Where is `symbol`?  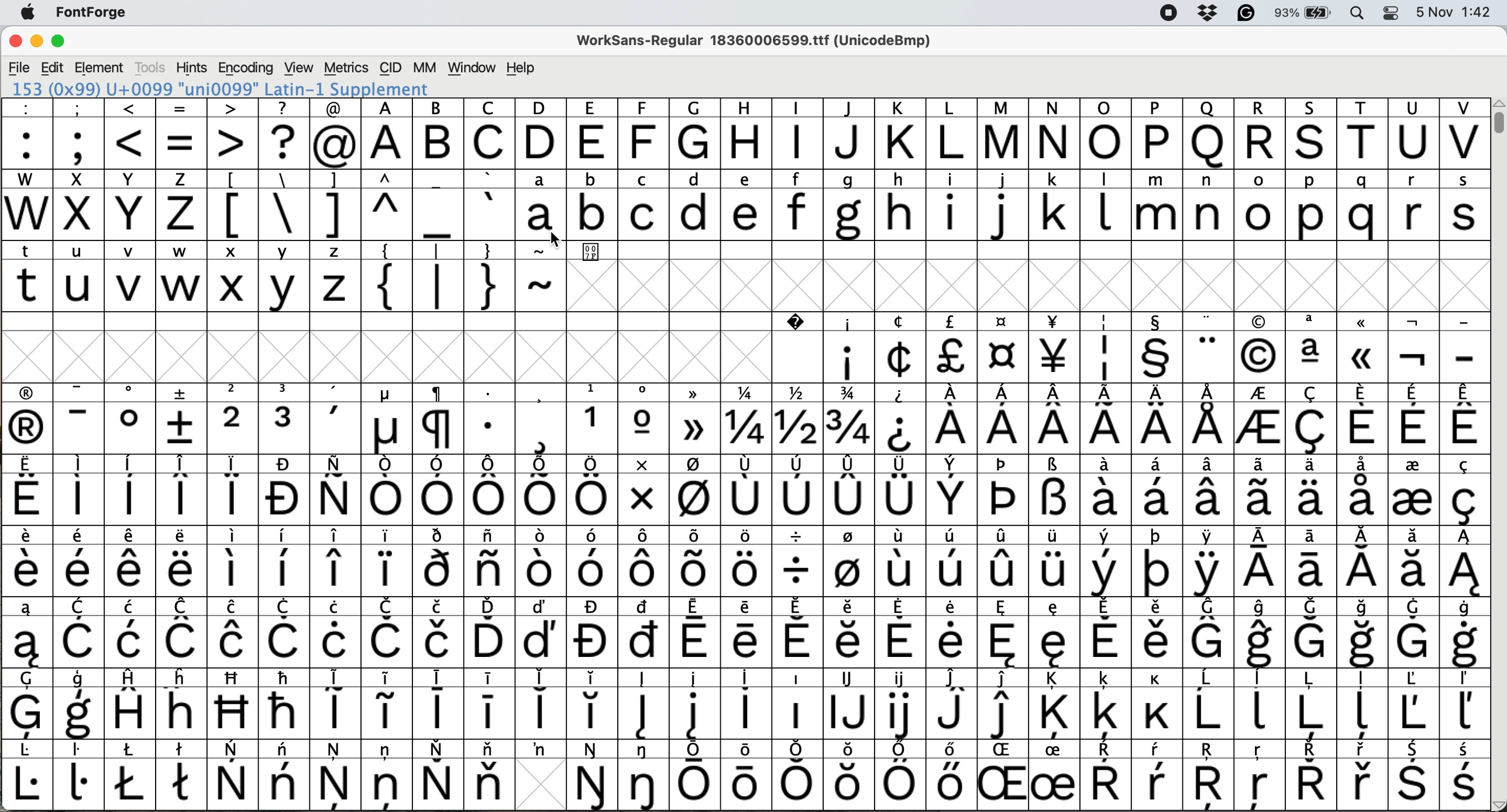 symbol is located at coordinates (1363, 418).